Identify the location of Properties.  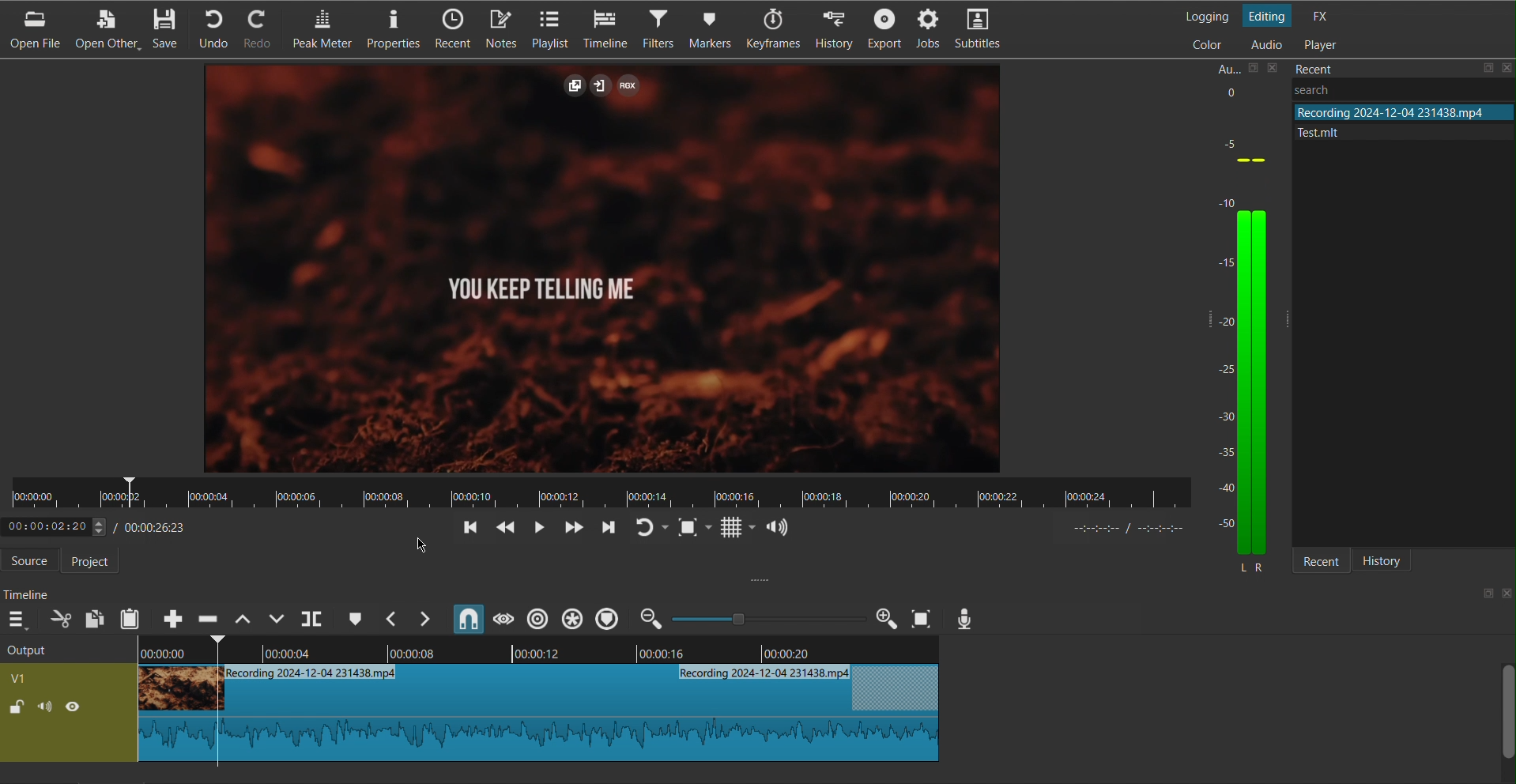
(390, 30).